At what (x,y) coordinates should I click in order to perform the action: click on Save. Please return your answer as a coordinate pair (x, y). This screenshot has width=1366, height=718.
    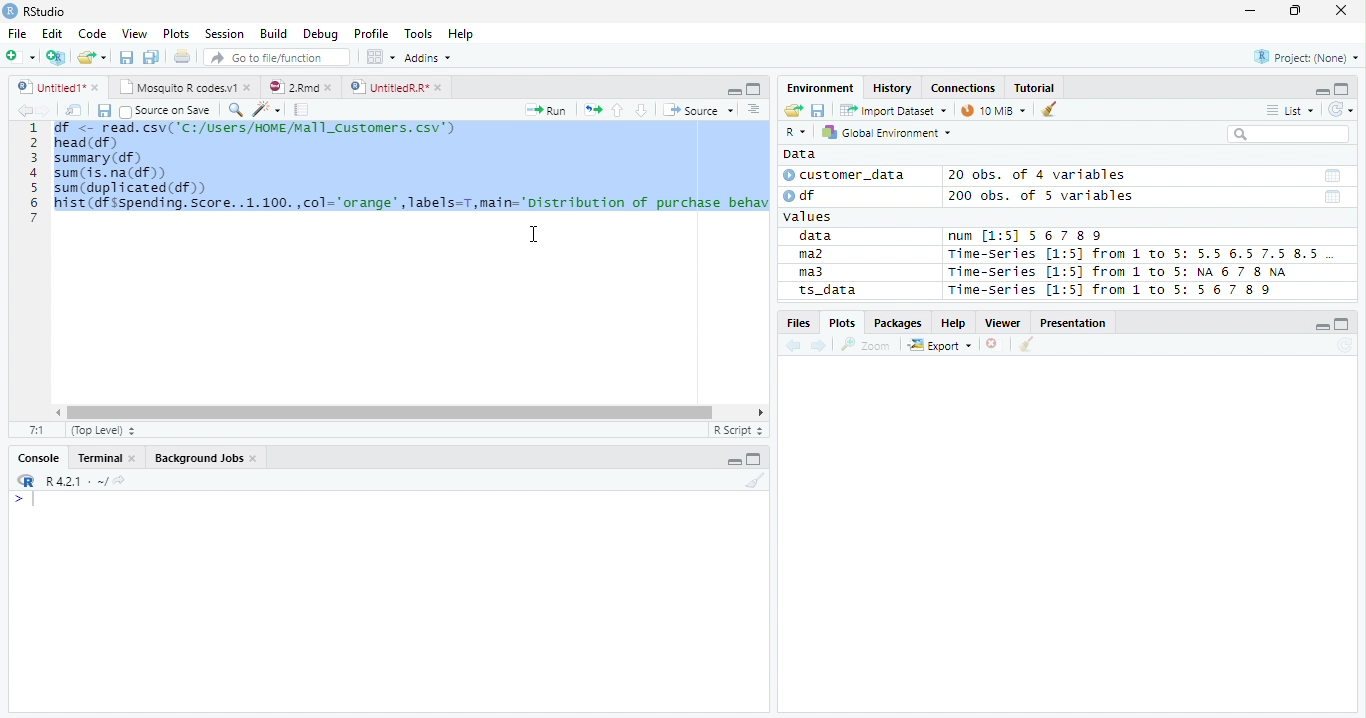
    Looking at the image, I should click on (126, 56).